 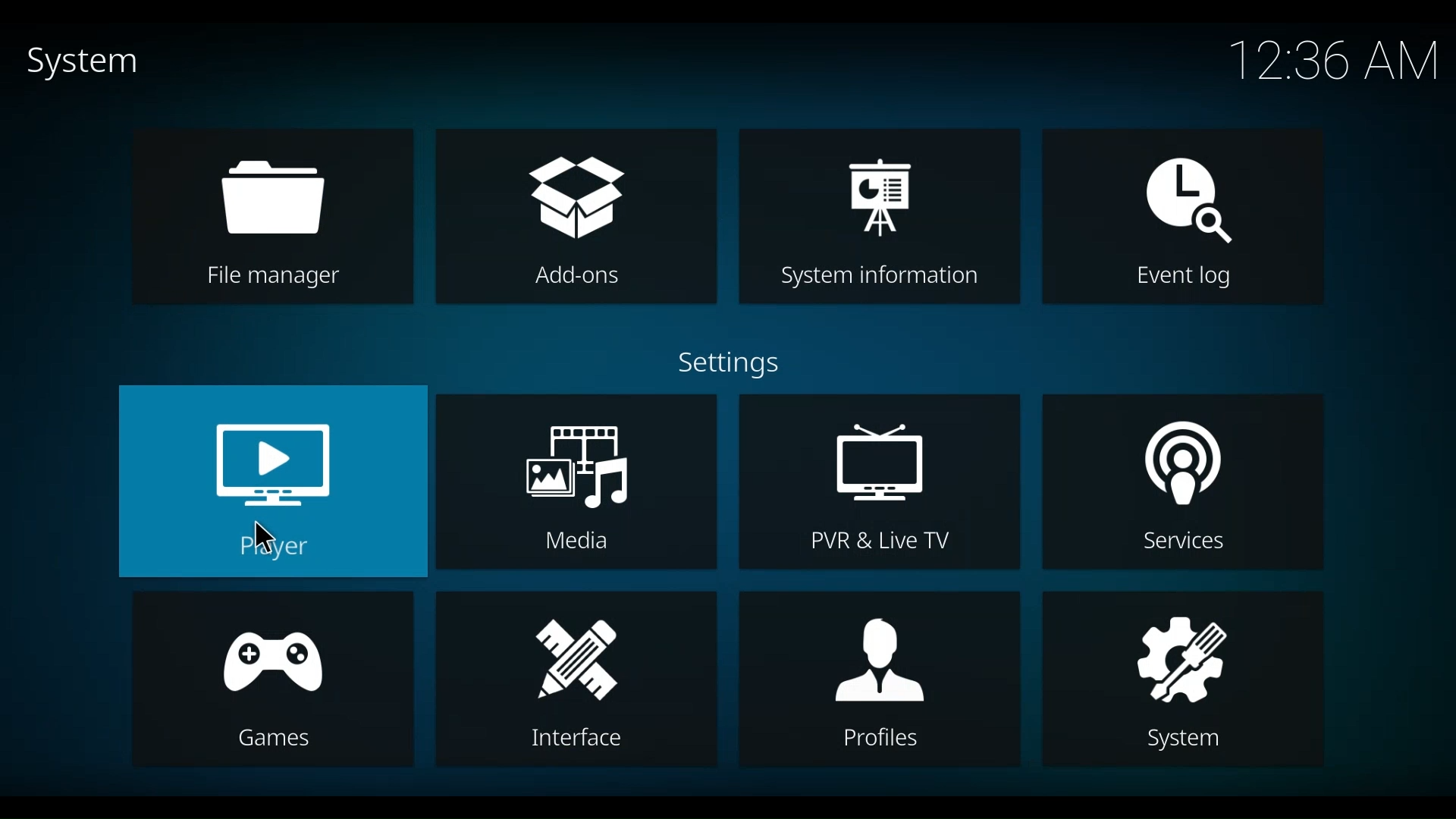 I want to click on time, so click(x=1335, y=62).